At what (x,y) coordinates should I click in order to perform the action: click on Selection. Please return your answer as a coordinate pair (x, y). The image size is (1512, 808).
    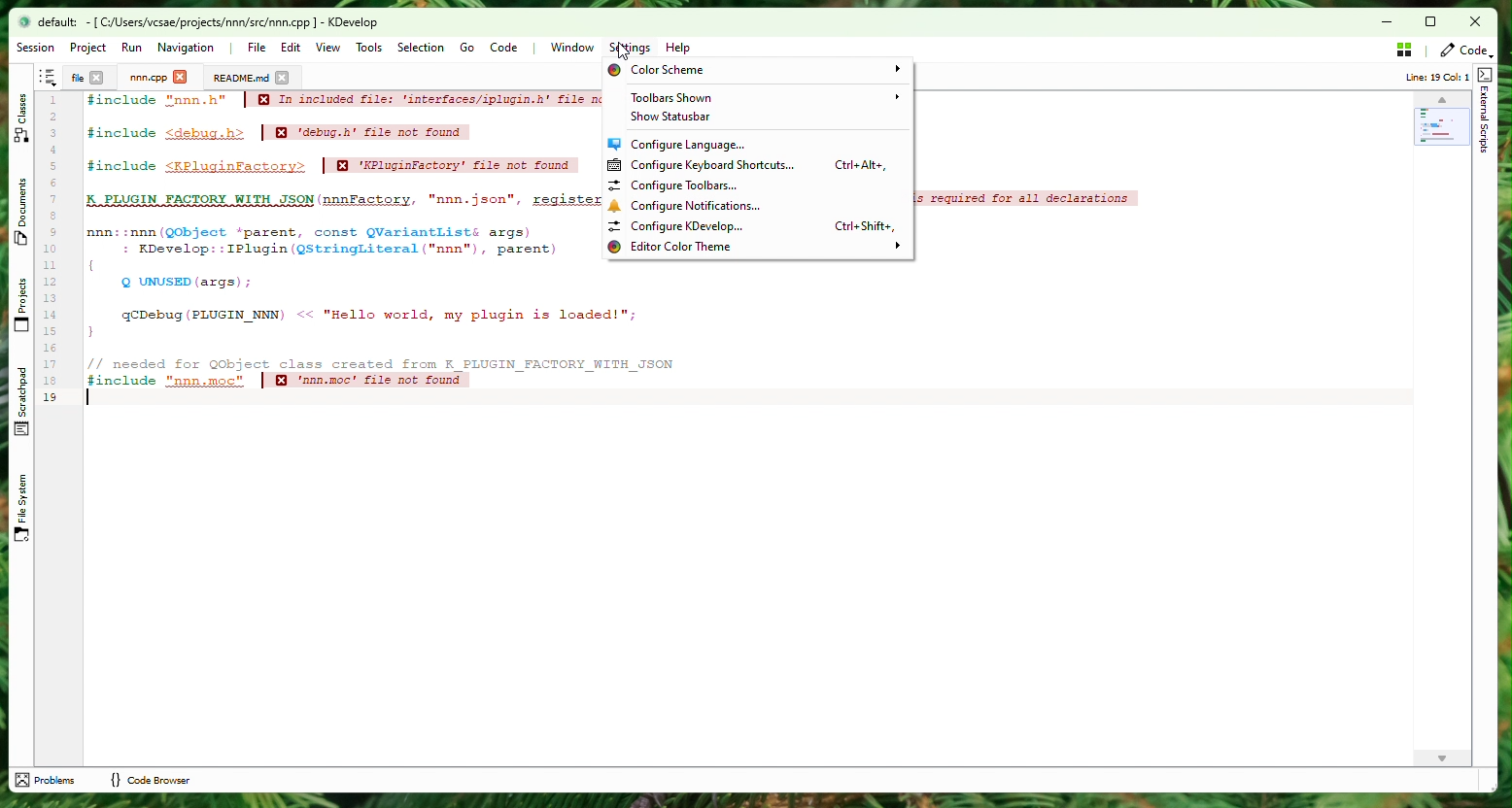
    Looking at the image, I should click on (421, 47).